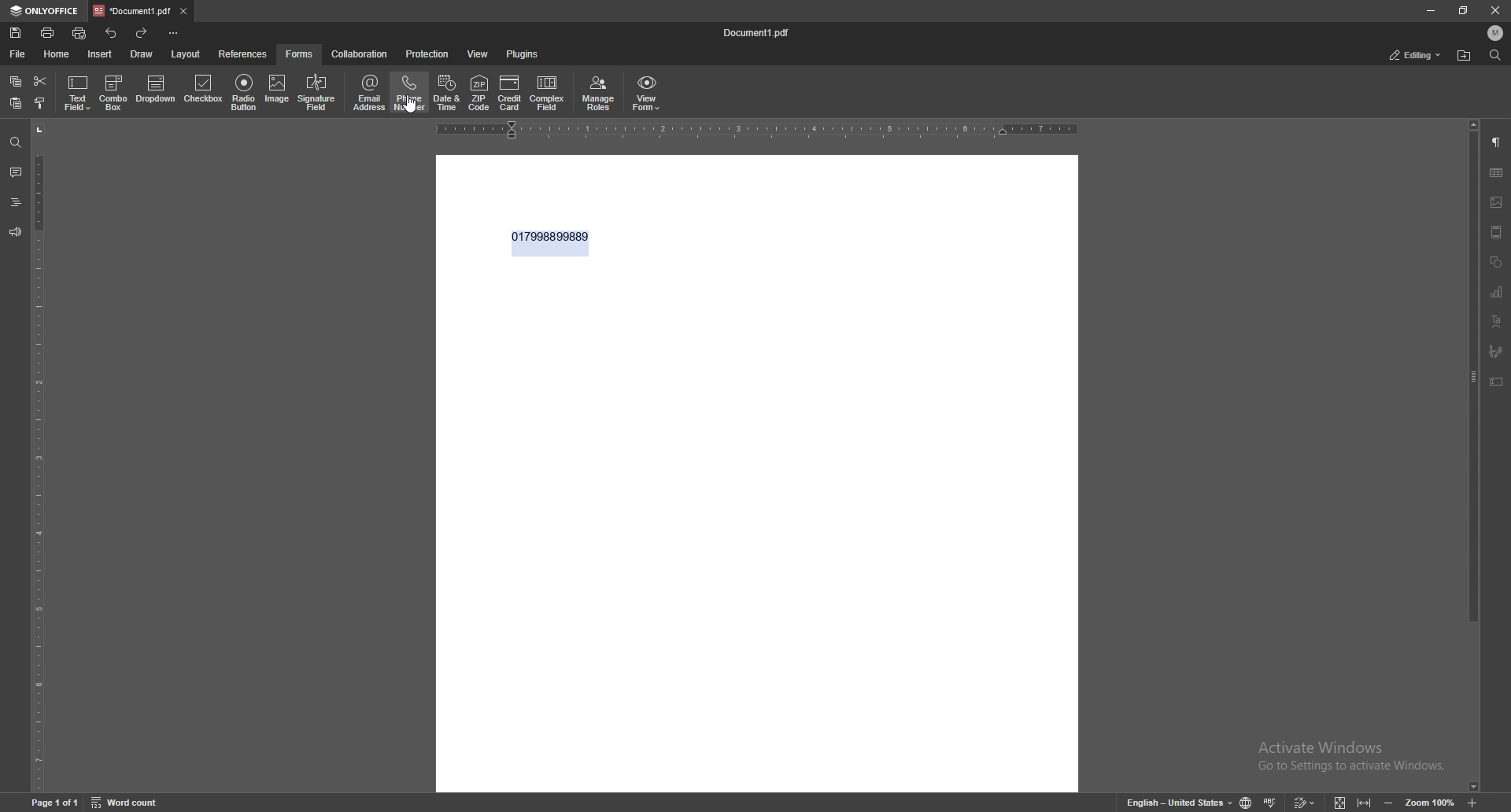 This screenshot has width=1511, height=812. What do you see at coordinates (17, 55) in the screenshot?
I see `file` at bounding box center [17, 55].